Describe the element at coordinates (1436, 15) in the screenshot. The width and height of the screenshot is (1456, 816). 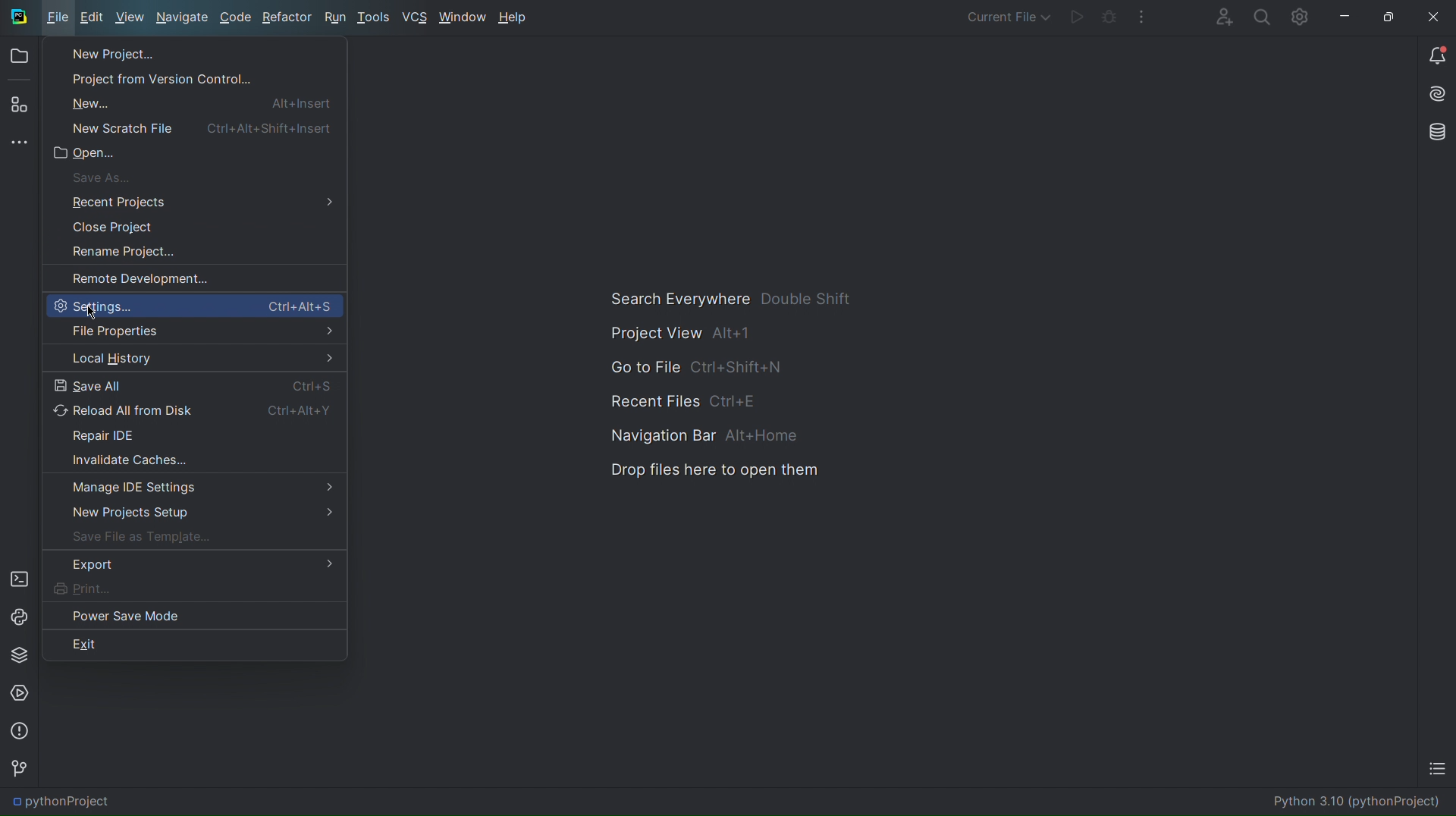
I see `Close` at that location.